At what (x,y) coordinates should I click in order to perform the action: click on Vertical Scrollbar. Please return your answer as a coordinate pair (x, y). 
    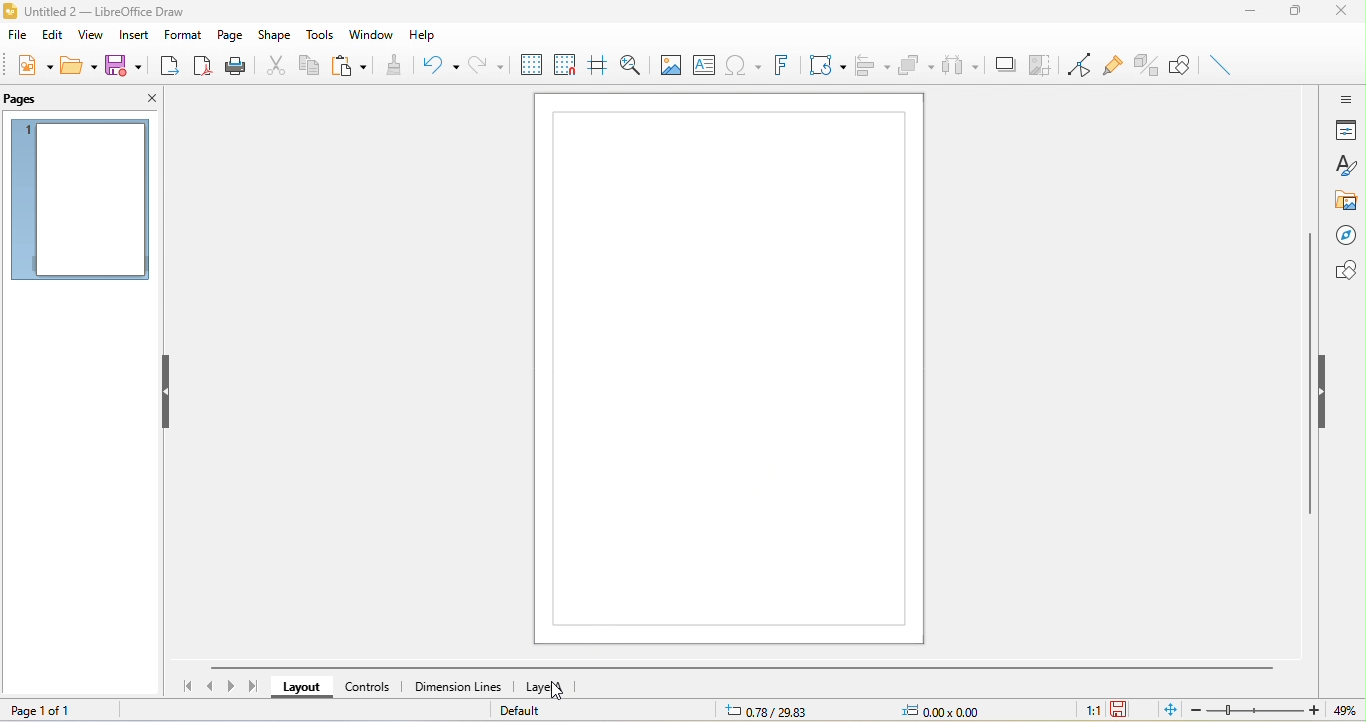
    Looking at the image, I should click on (1306, 375).